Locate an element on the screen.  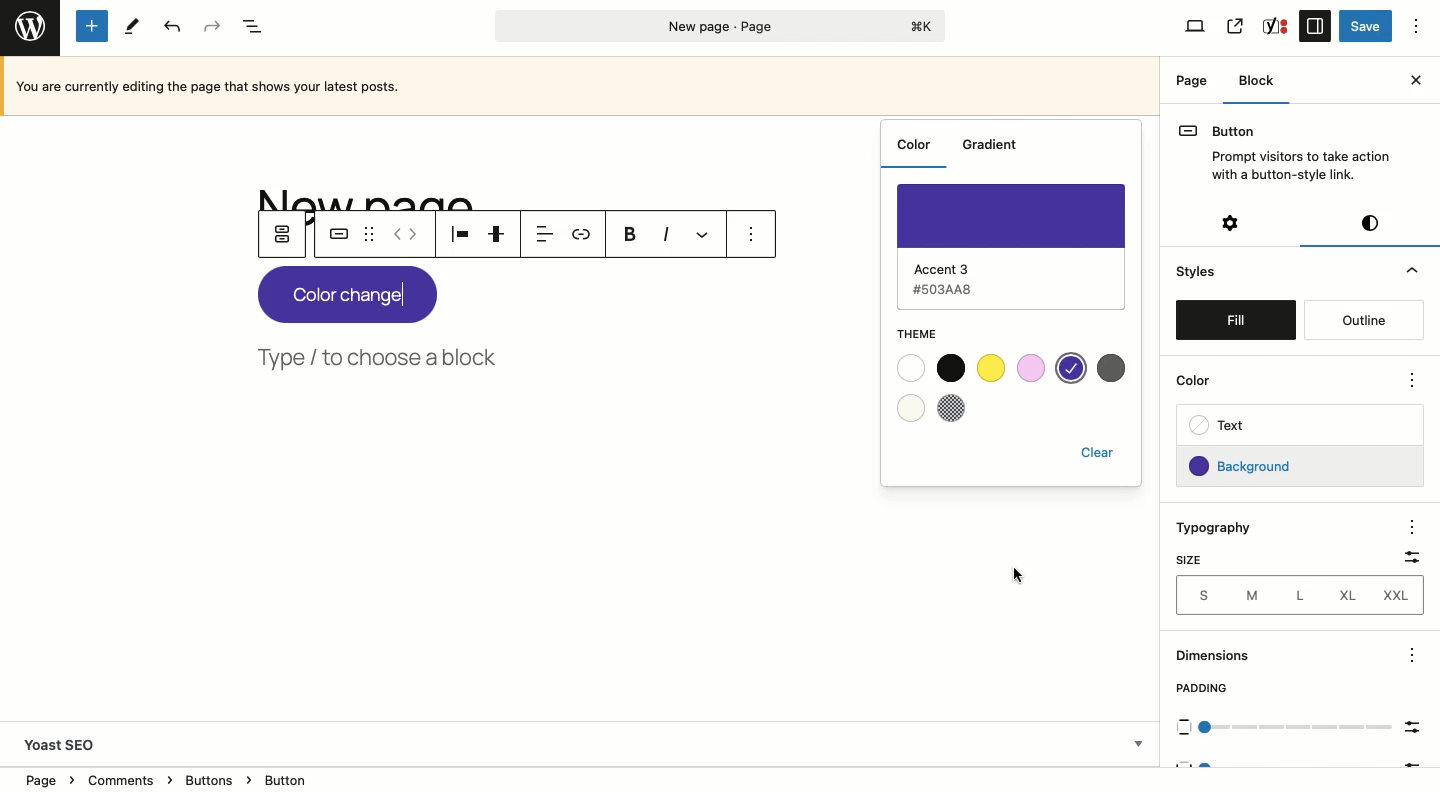
Background is located at coordinates (1304, 468).